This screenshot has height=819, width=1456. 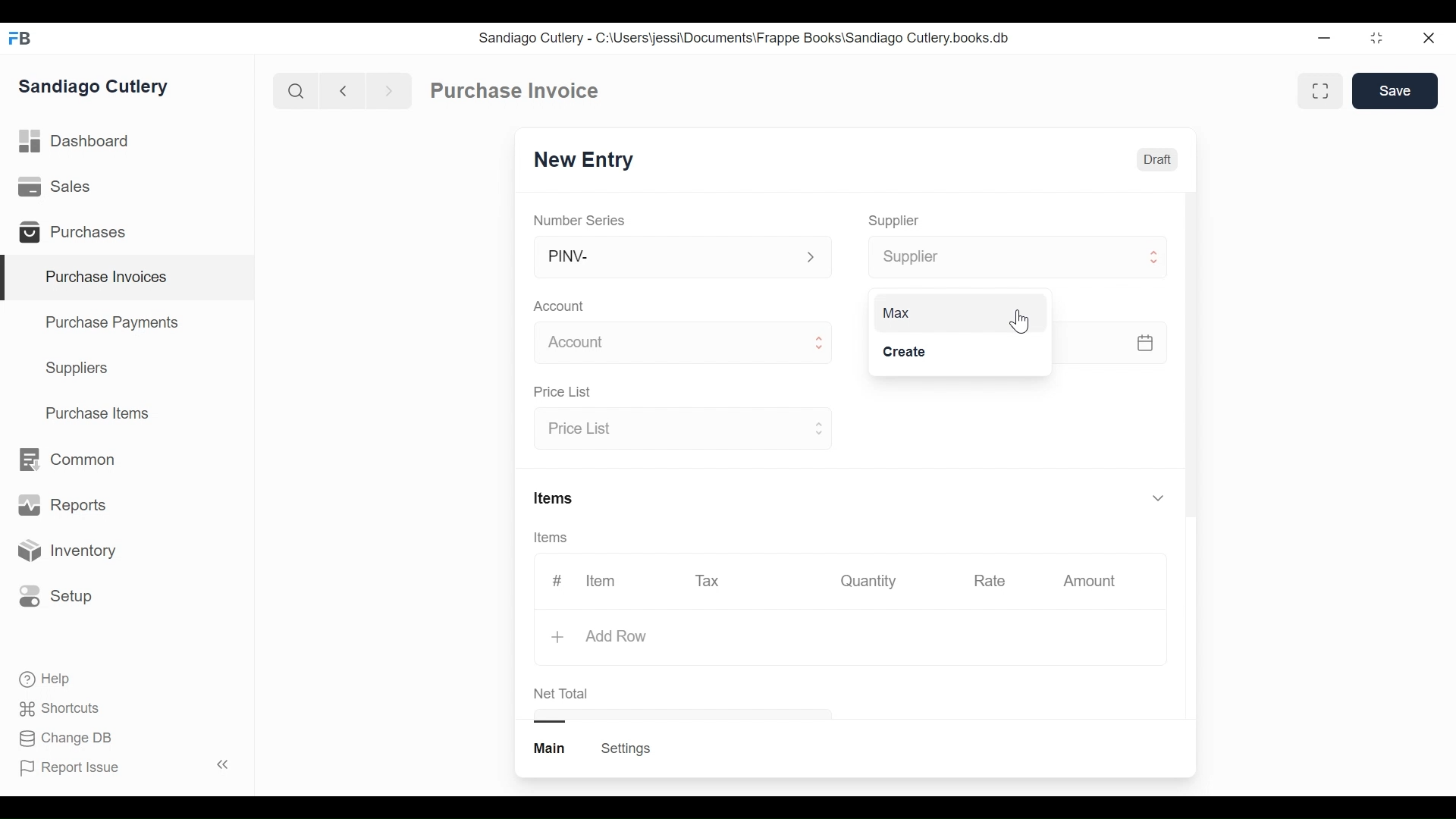 What do you see at coordinates (562, 694) in the screenshot?
I see `Net Total` at bounding box center [562, 694].